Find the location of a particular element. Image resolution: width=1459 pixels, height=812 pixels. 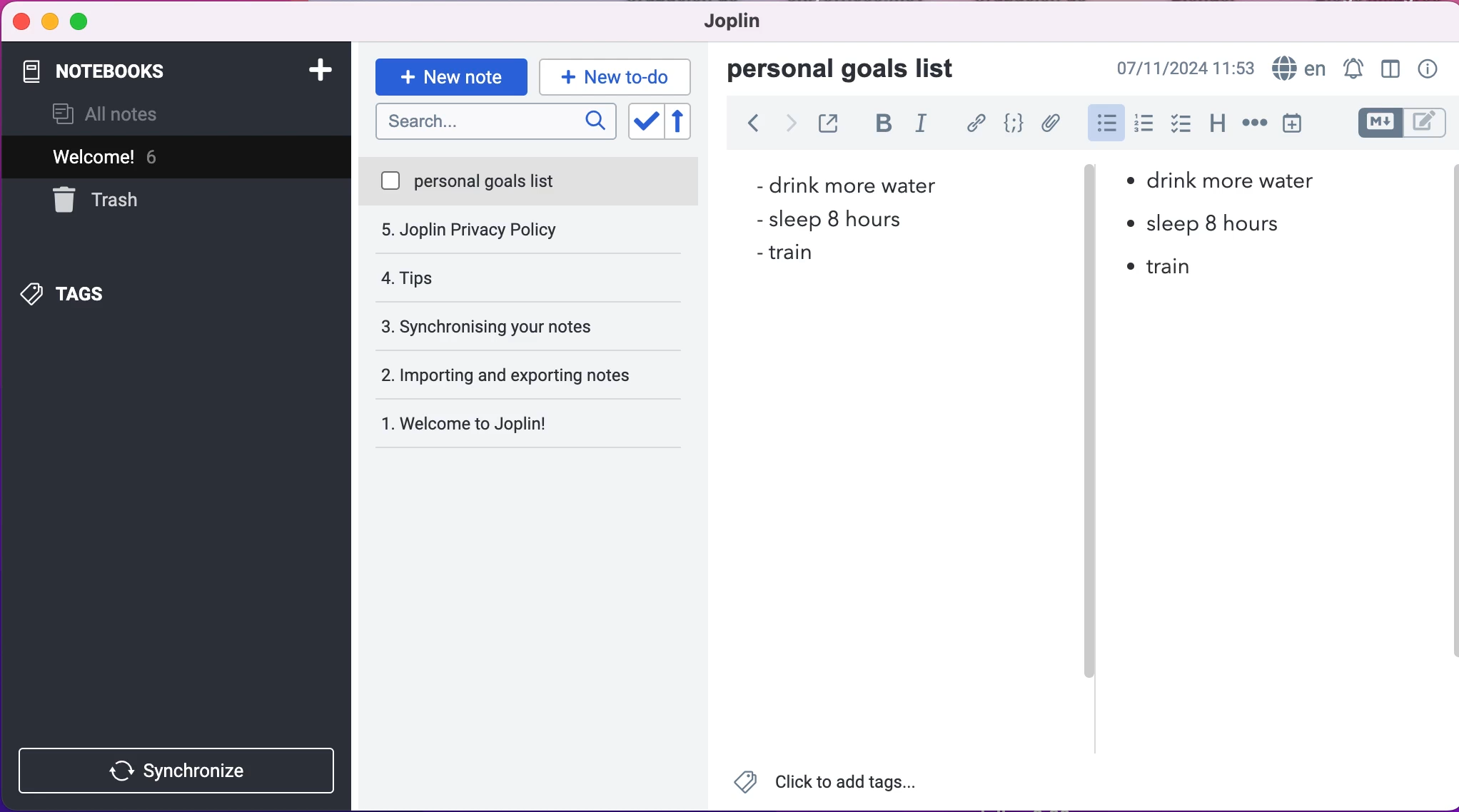

joplin is located at coordinates (748, 24).